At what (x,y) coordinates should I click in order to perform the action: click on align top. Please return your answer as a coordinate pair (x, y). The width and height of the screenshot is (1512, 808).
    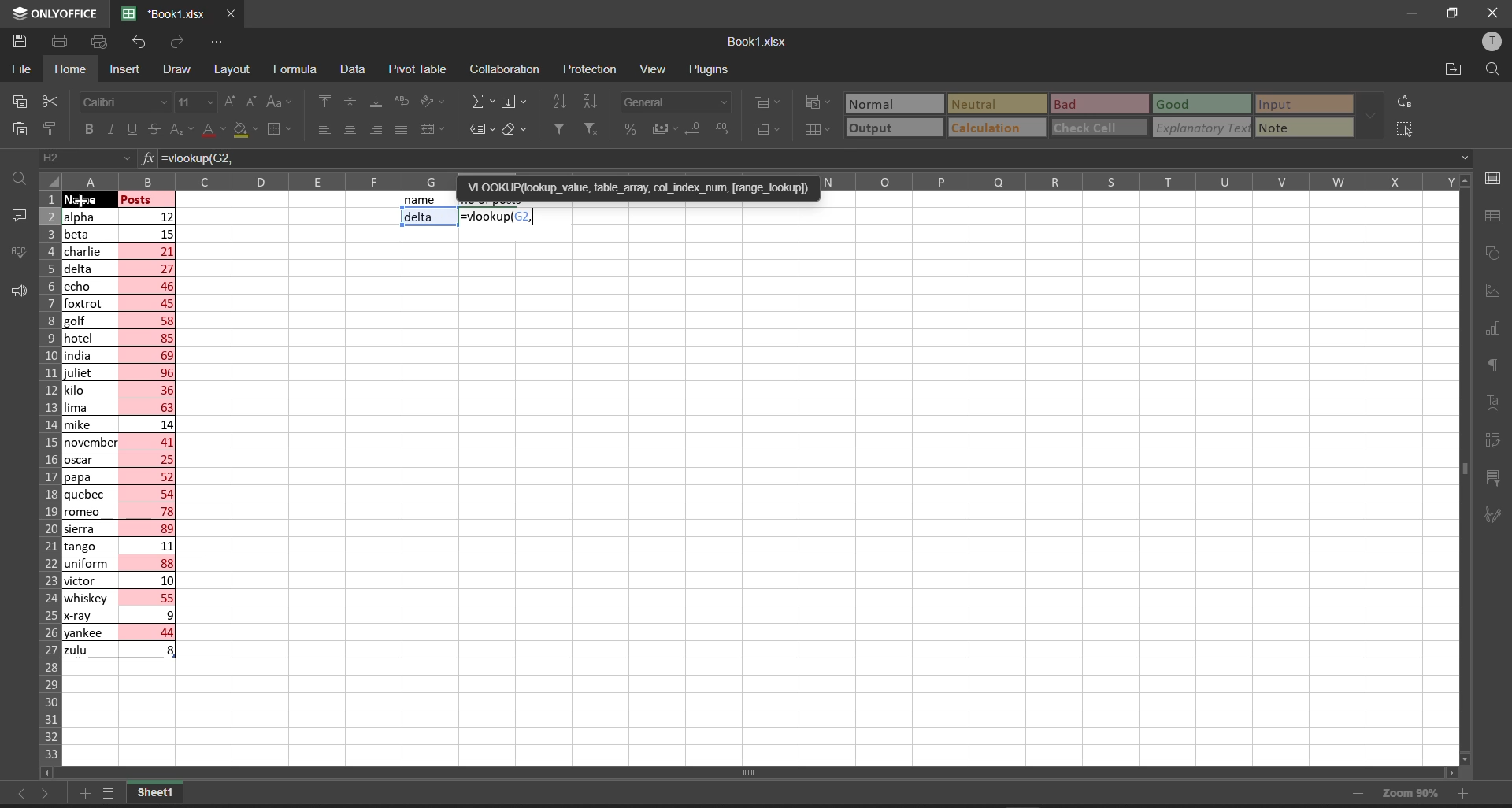
    Looking at the image, I should click on (321, 102).